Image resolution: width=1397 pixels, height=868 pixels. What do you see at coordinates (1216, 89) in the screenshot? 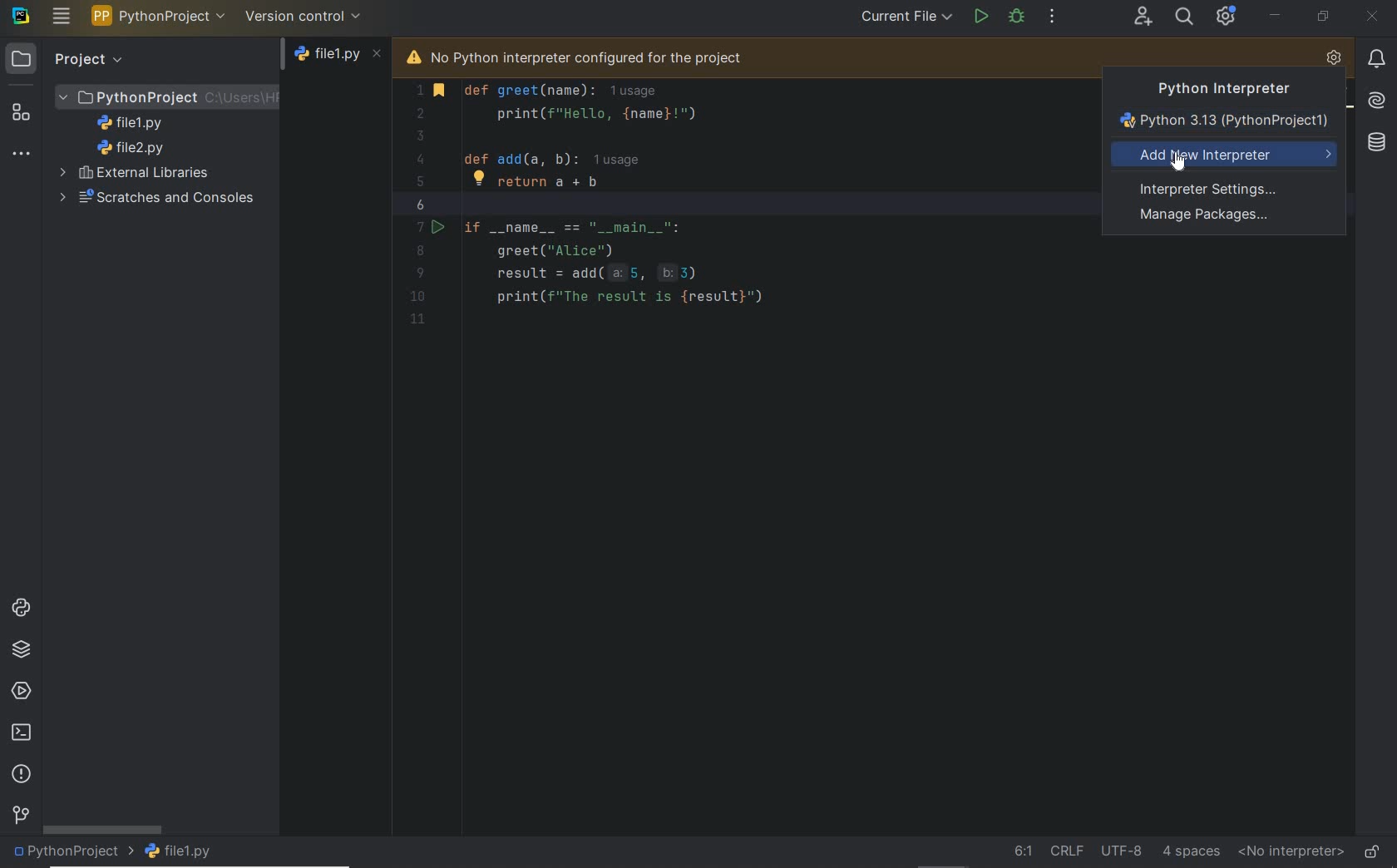
I see `Python Interpreter` at bounding box center [1216, 89].